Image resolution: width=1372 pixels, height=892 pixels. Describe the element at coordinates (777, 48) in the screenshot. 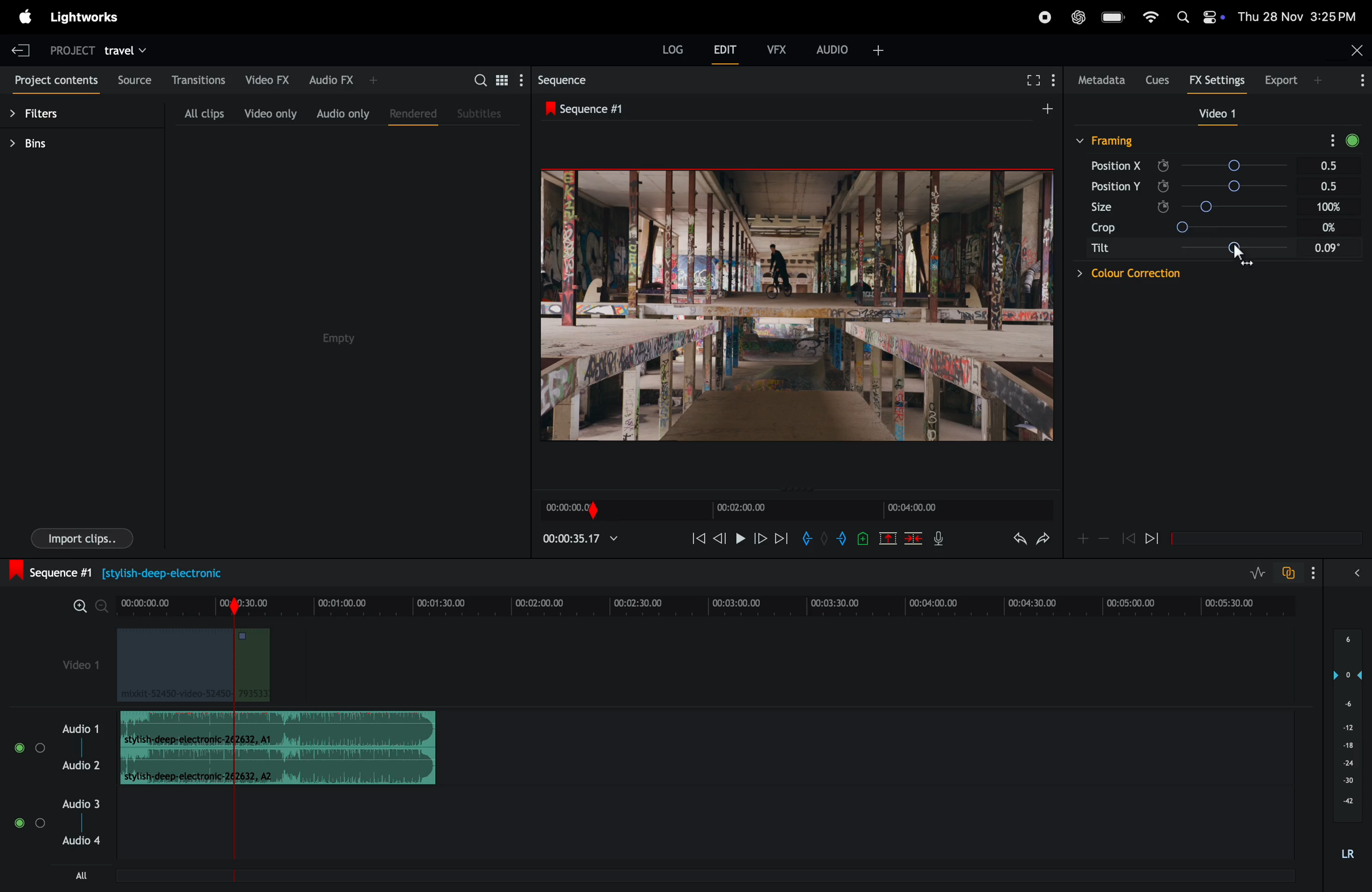

I see `vfx` at that location.